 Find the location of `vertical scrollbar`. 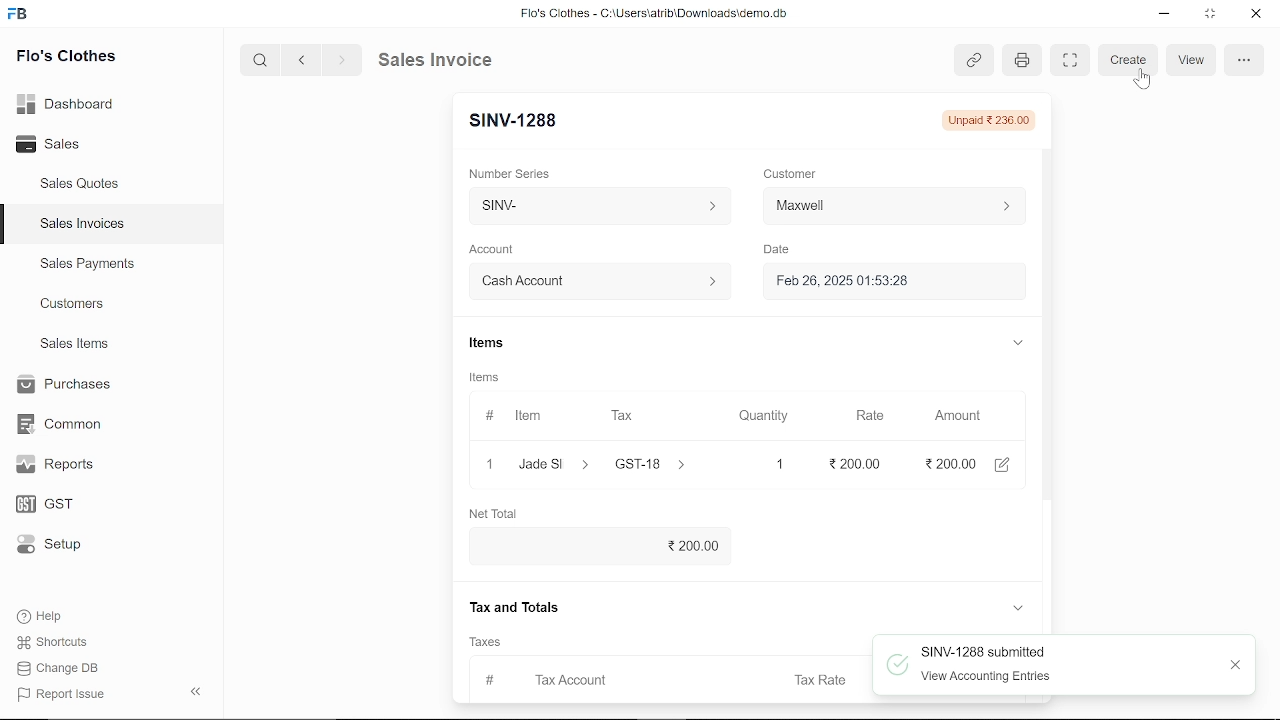

vertical scrollbar is located at coordinates (1048, 329).